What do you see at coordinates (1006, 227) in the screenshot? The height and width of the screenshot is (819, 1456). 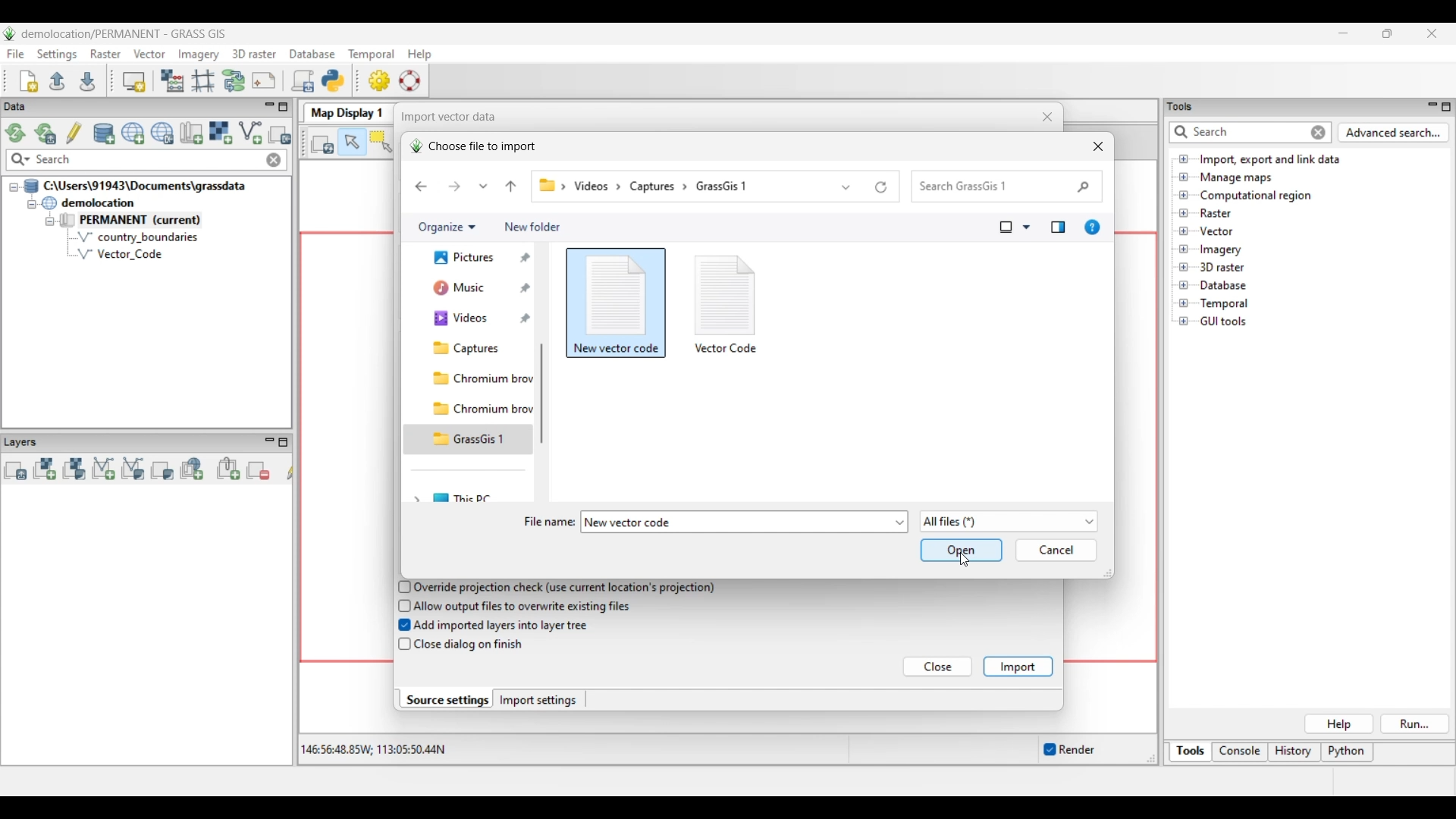 I see `Selected change view` at bounding box center [1006, 227].